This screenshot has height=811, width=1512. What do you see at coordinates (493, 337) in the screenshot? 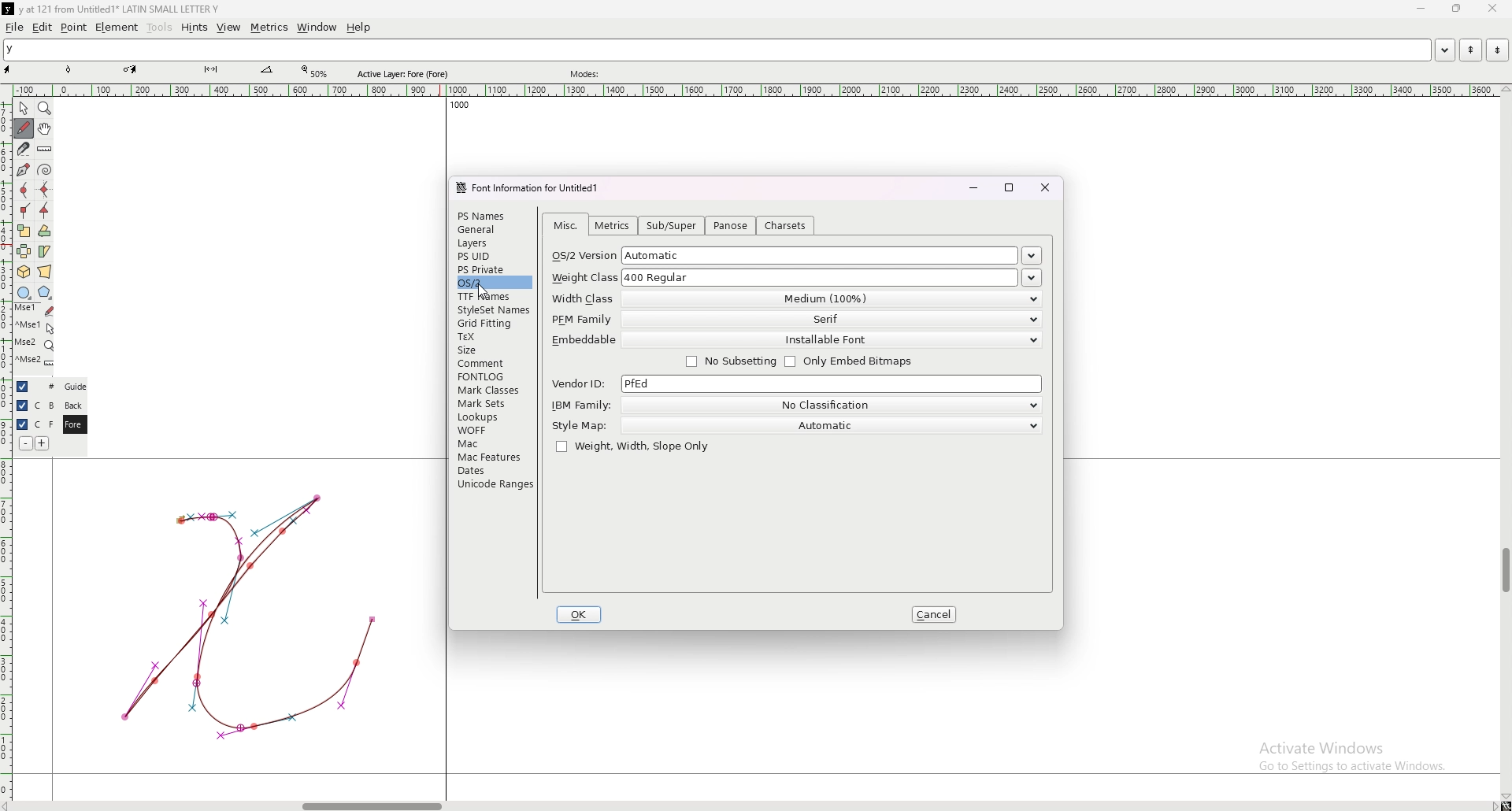
I see `tex` at bounding box center [493, 337].